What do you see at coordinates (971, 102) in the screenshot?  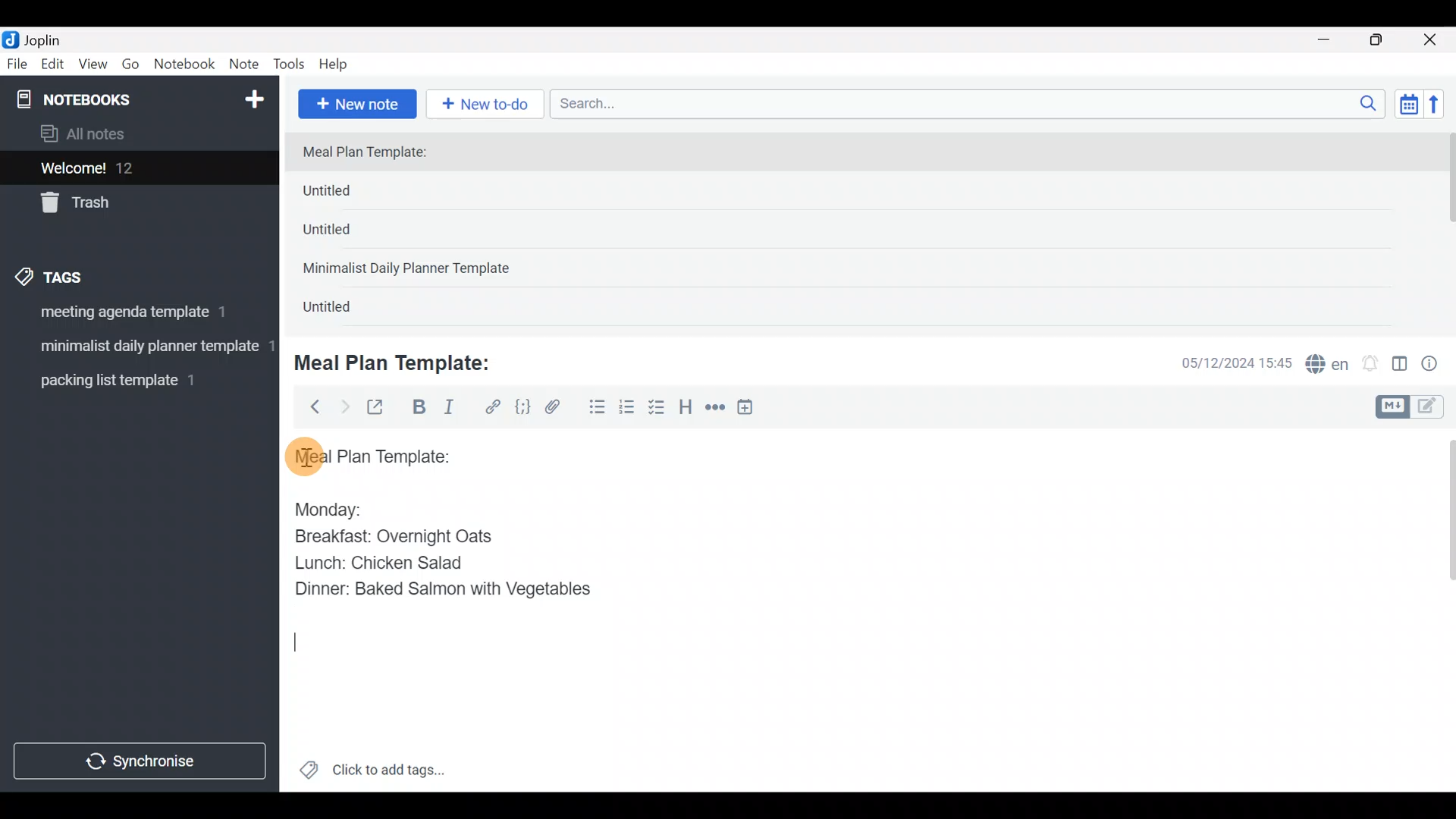 I see `Search bar` at bounding box center [971, 102].